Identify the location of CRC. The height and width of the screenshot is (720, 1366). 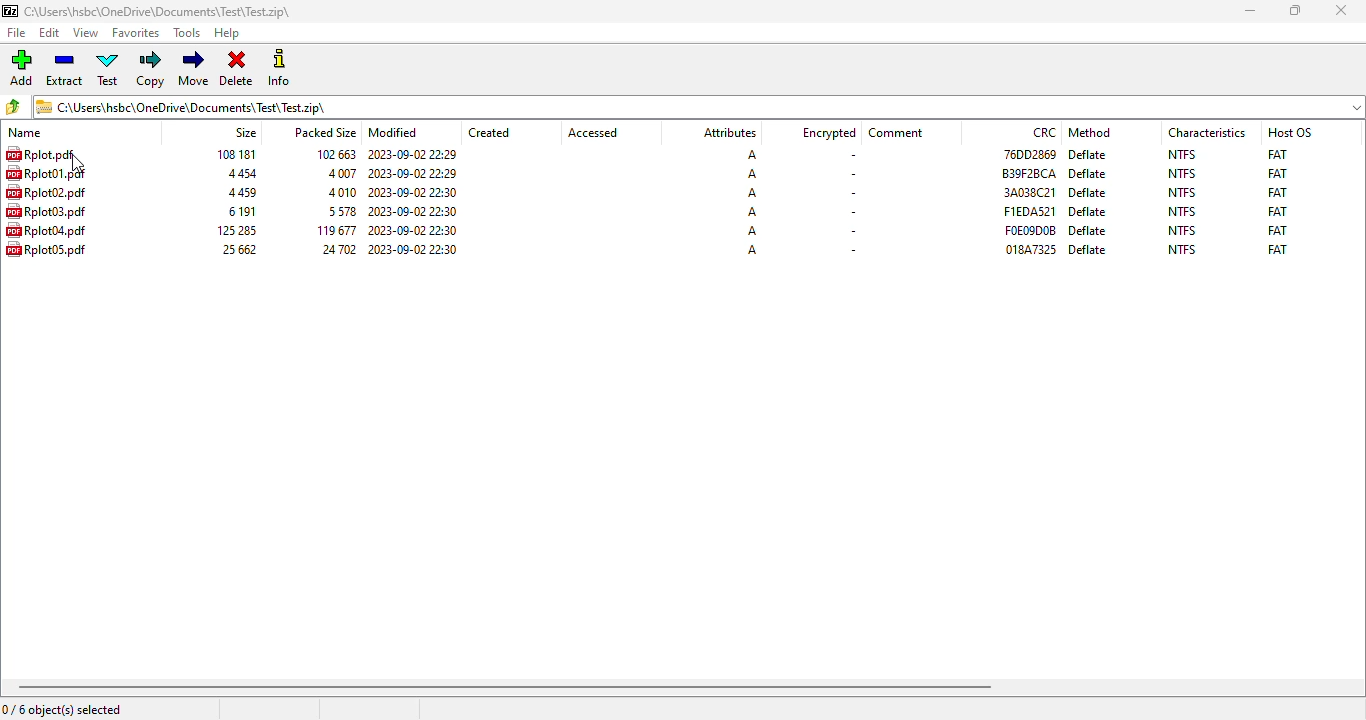
(1030, 230).